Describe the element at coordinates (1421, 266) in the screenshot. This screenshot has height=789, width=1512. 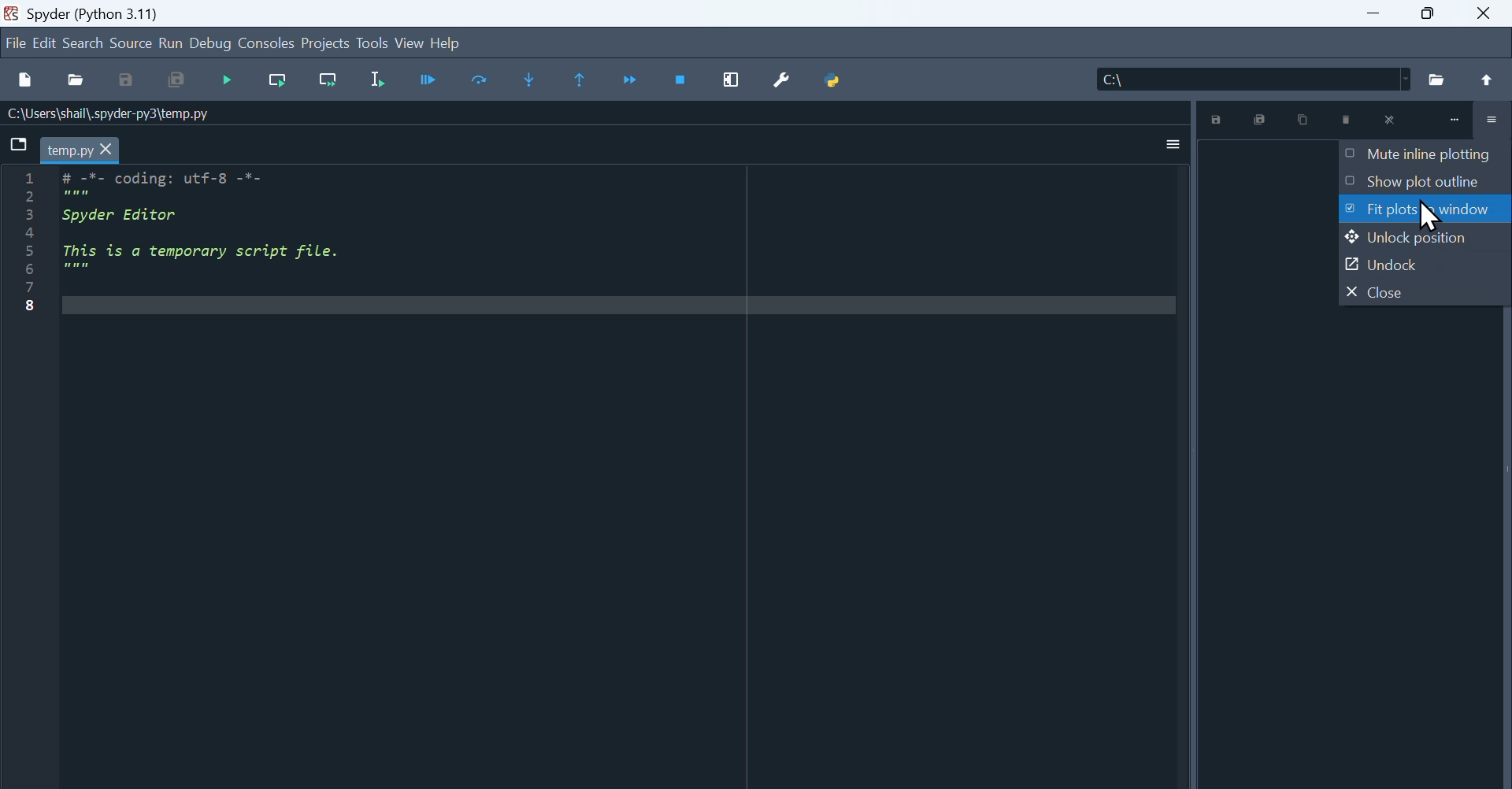
I see `Unlock` at that location.